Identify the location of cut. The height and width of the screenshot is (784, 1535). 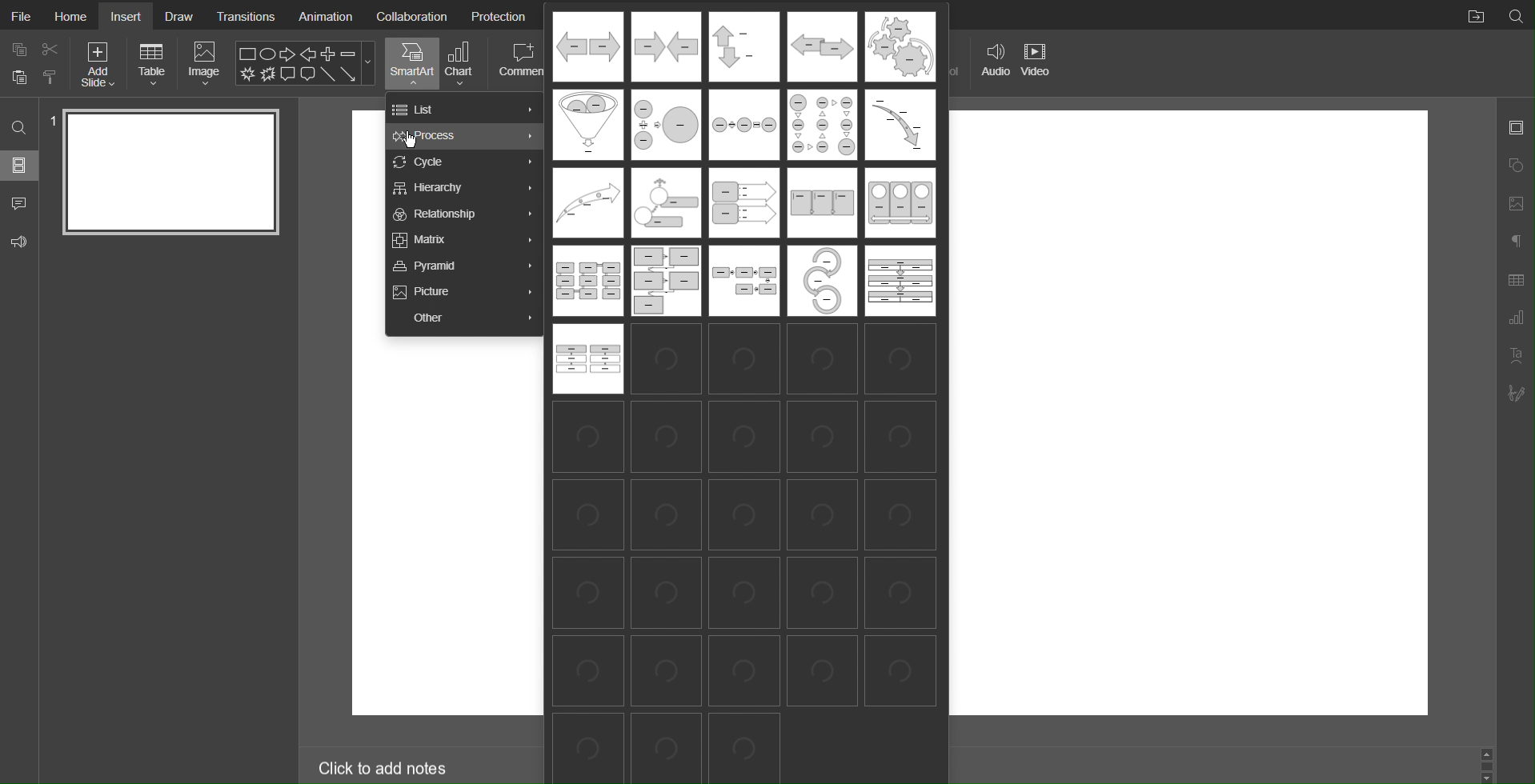
(51, 48).